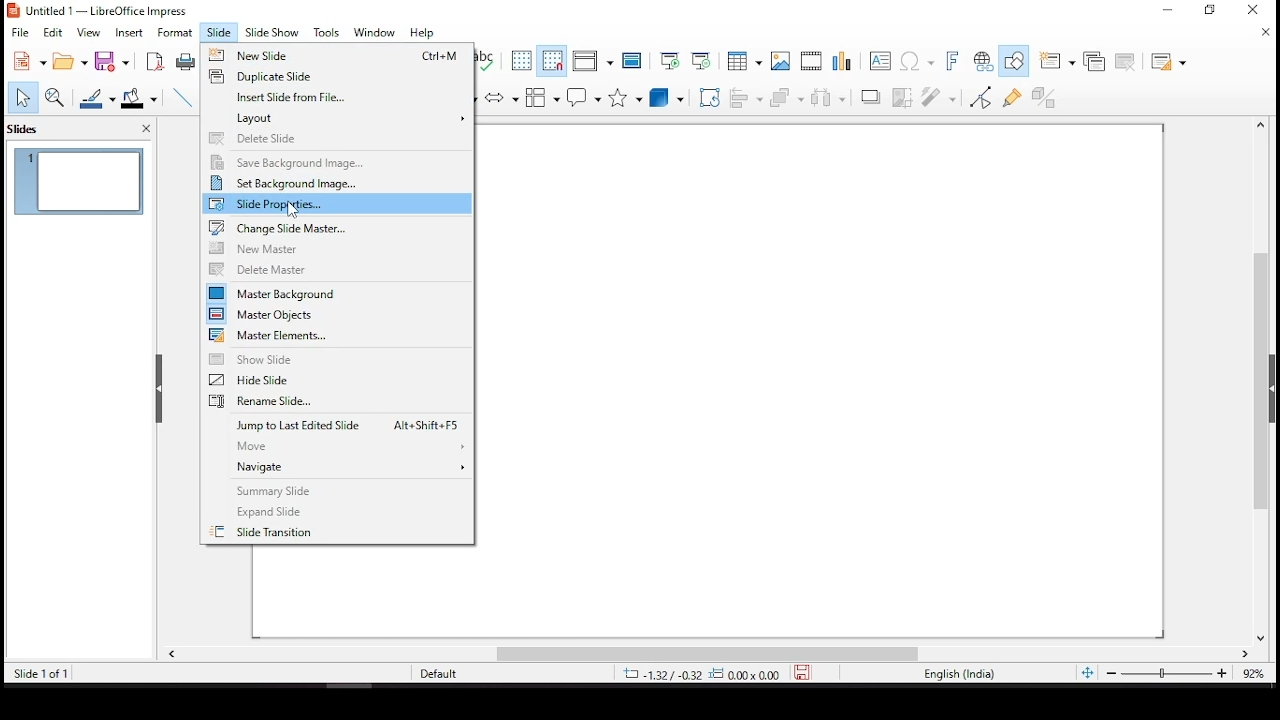  Describe the element at coordinates (327, 32) in the screenshot. I see `tools` at that location.